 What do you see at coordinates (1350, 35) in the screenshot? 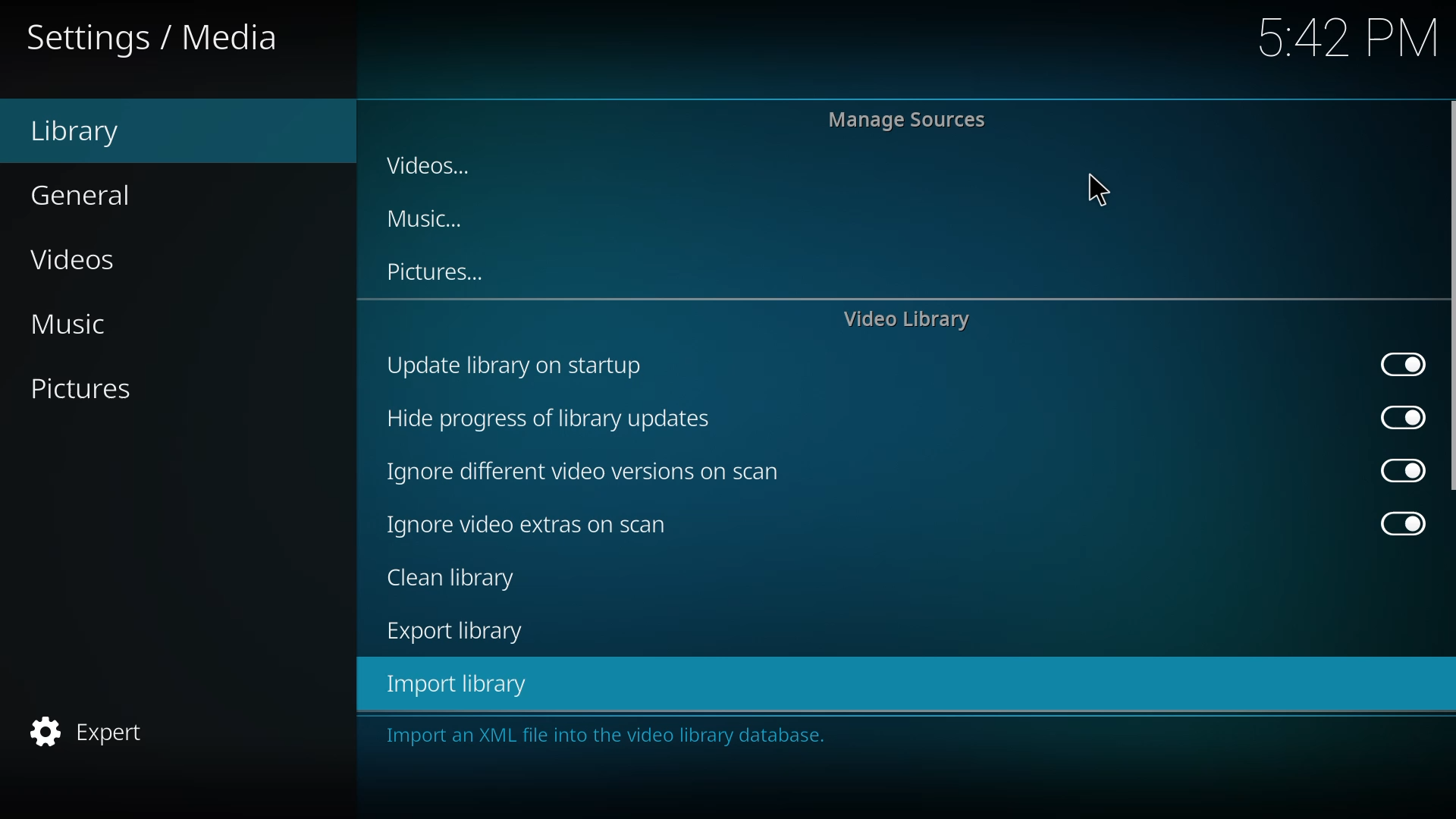
I see `time` at bounding box center [1350, 35].